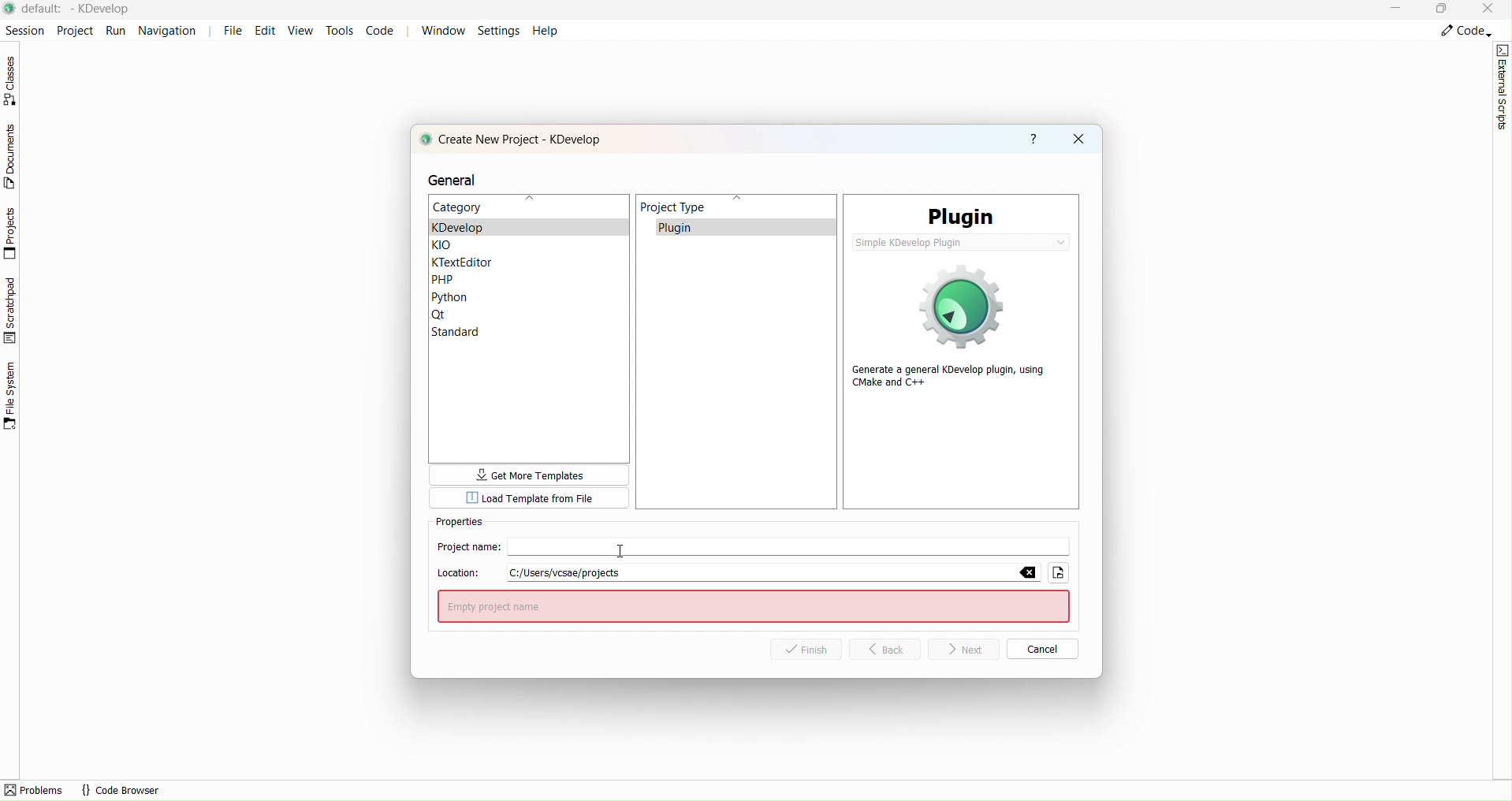  What do you see at coordinates (758, 607) in the screenshot?
I see `empty project name` at bounding box center [758, 607].